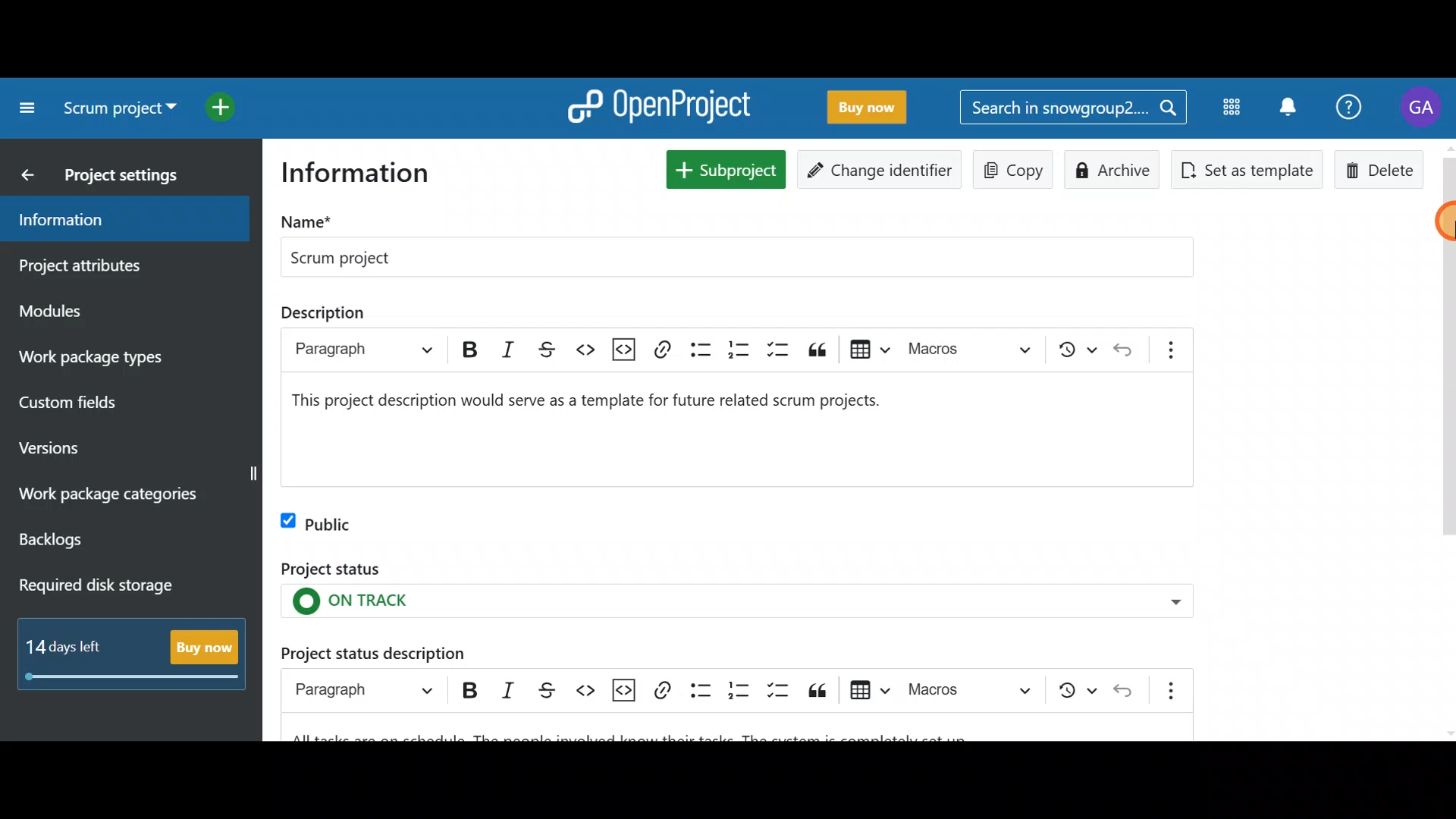 The width and height of the screenshot is (1456, 819). Describe the element at coordinates (625, 349) in the screenshot. I see `insert code snippet` at that location.